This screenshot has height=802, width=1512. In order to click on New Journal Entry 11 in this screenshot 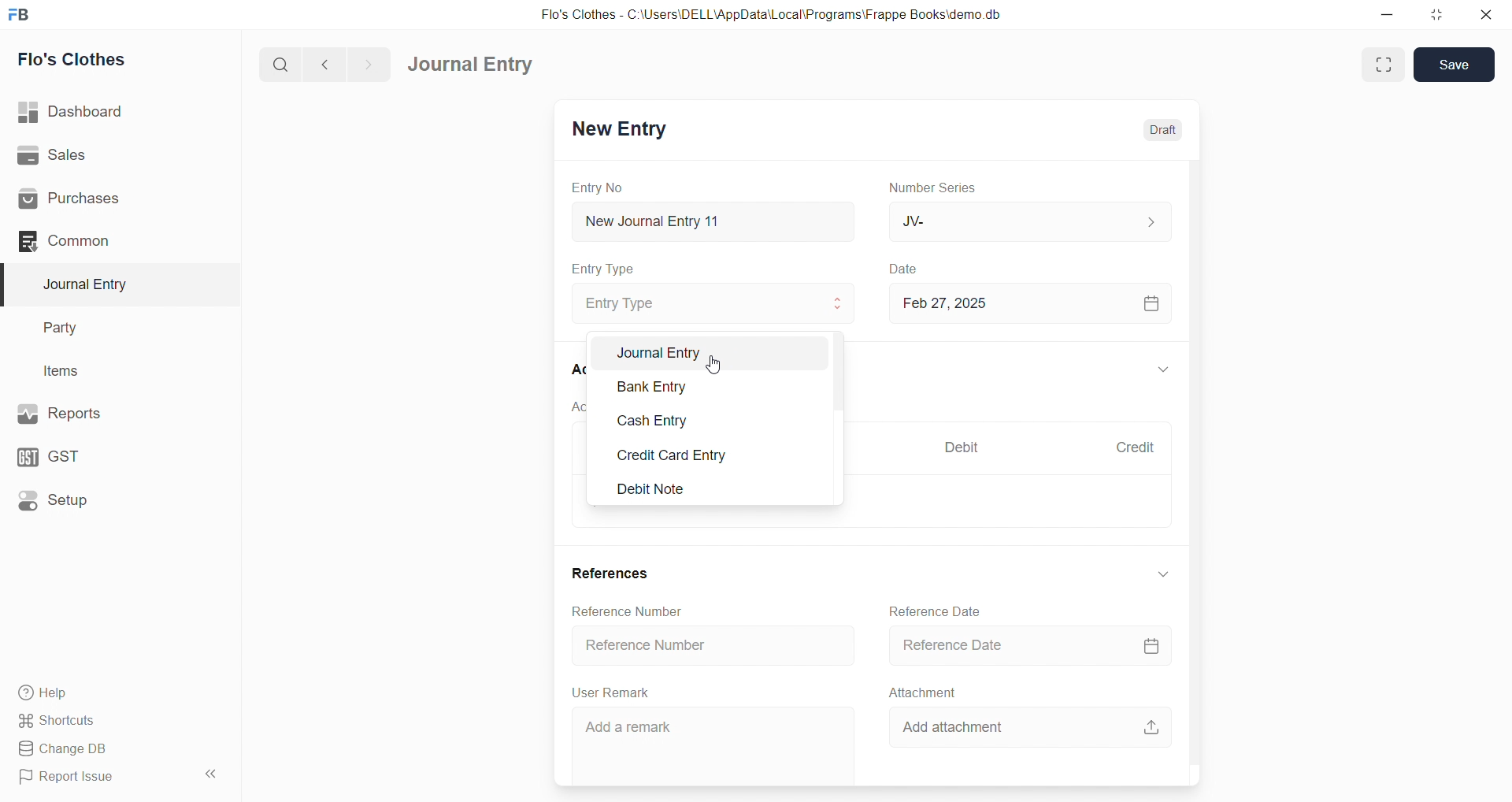, I will do `click(713, 221)`.